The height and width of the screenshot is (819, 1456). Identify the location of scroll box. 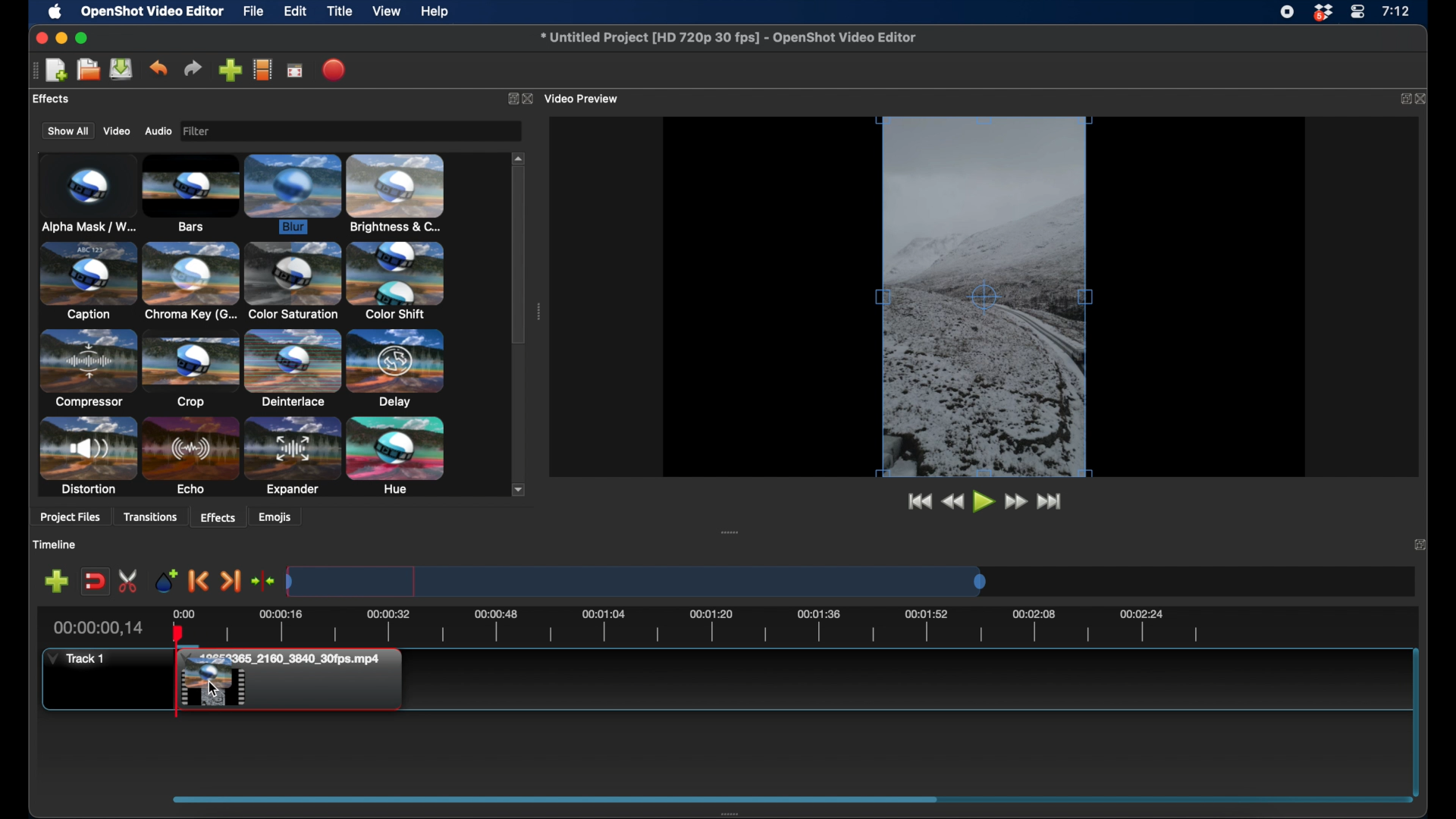
(519, 258).